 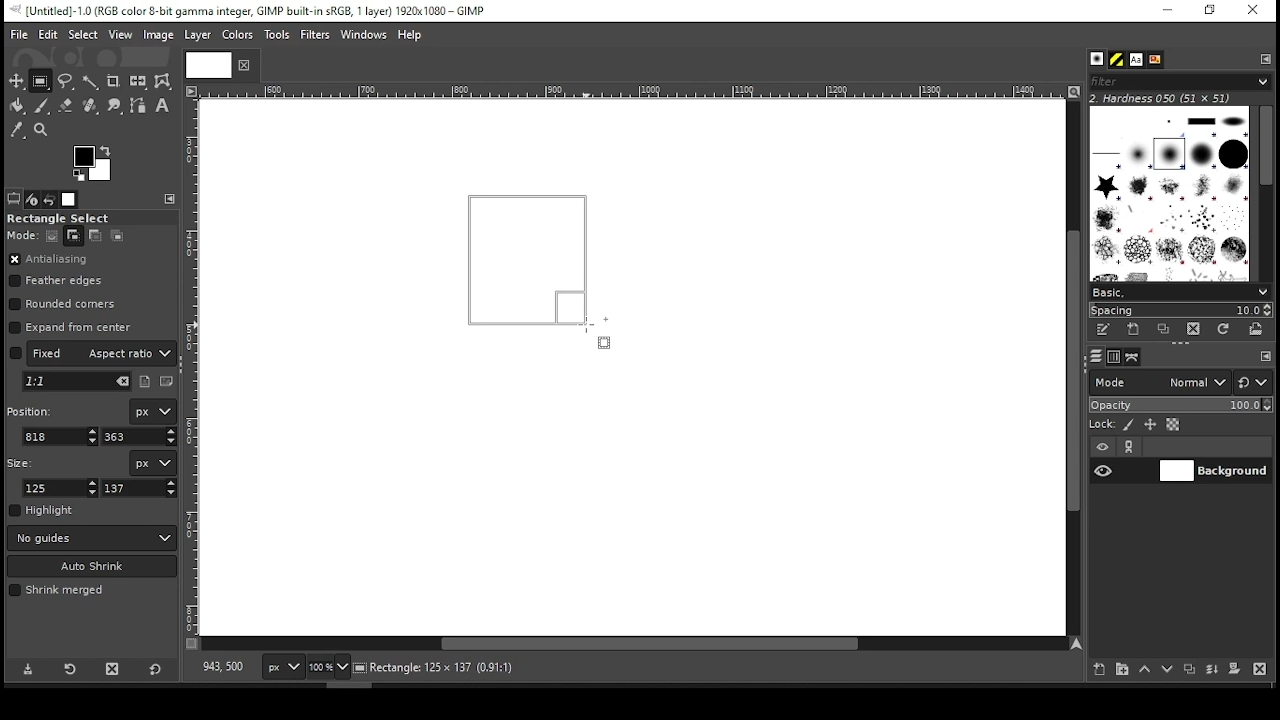 What do you see at coordinates (1179, 407) in the screenshot?
I see `opacity` at bounding box center [1179, 407].